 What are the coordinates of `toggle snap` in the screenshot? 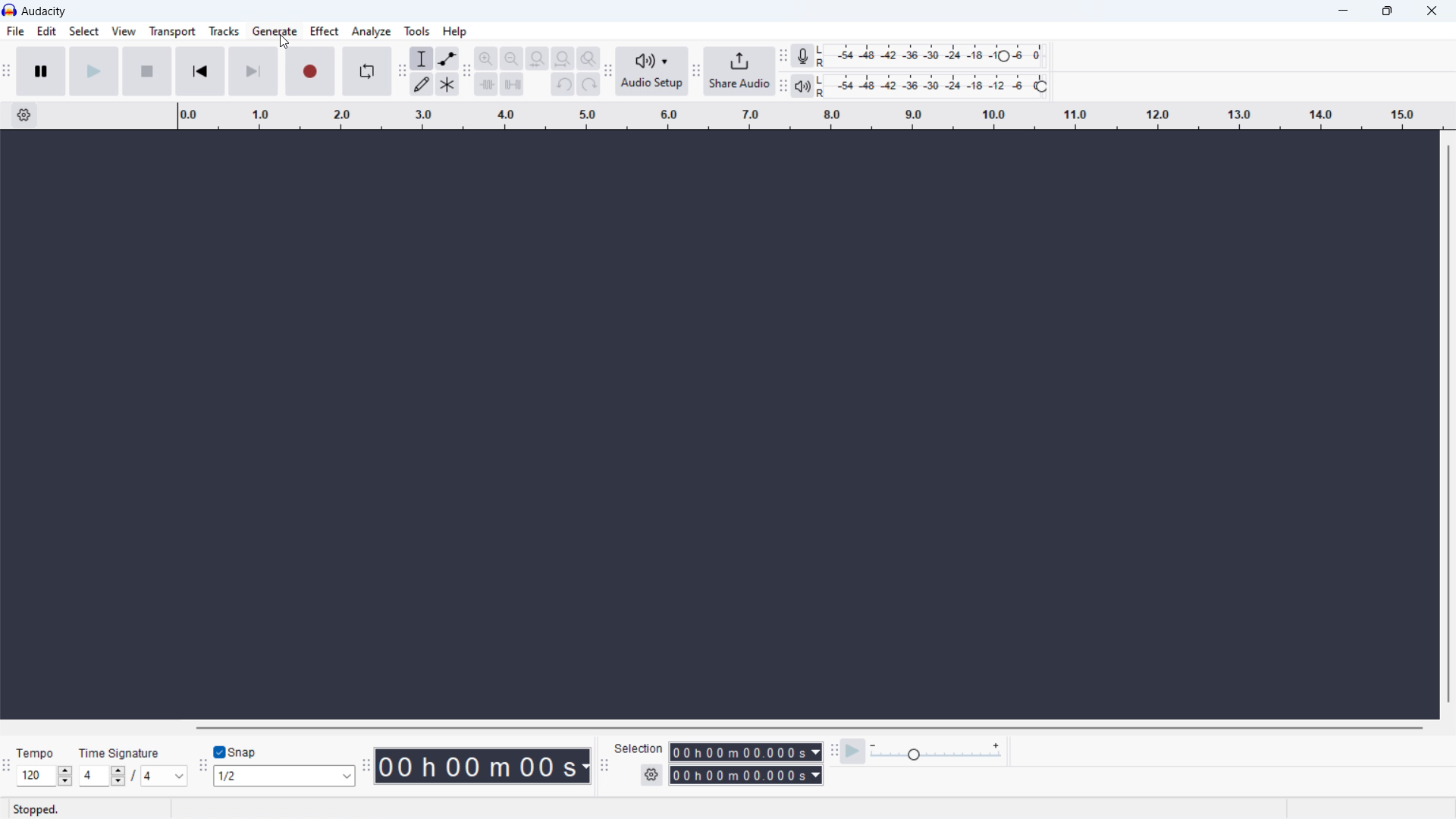 It's located at (237, 751).